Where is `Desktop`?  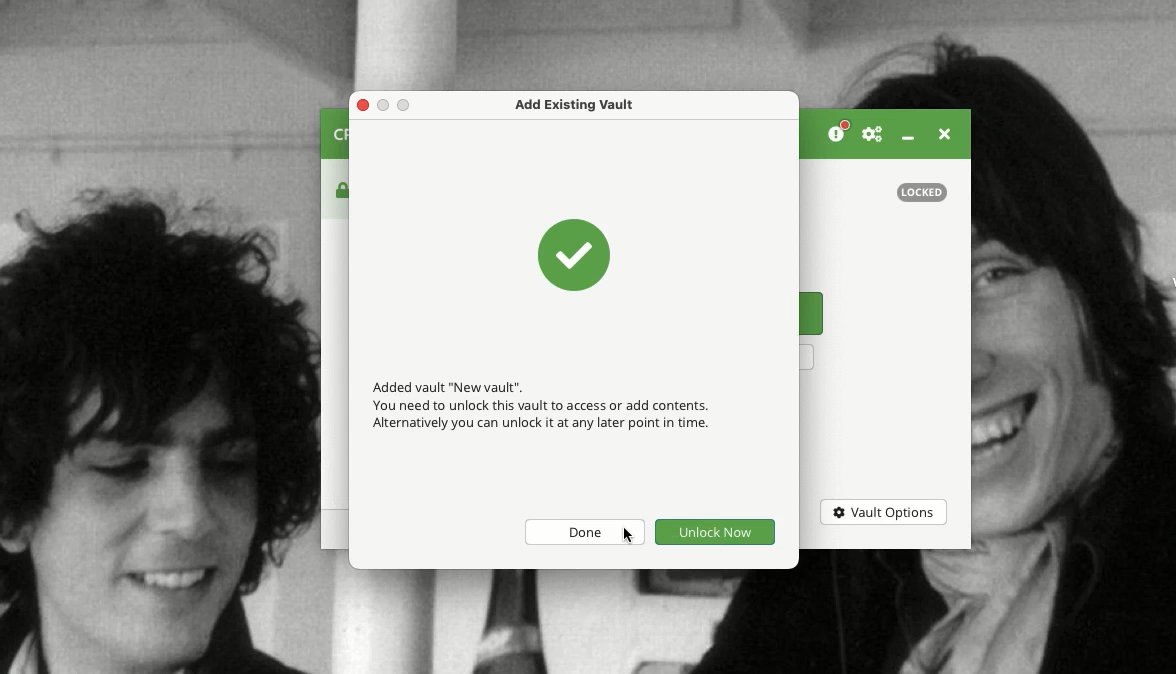 Desktop is located at coordinates (160, 337).